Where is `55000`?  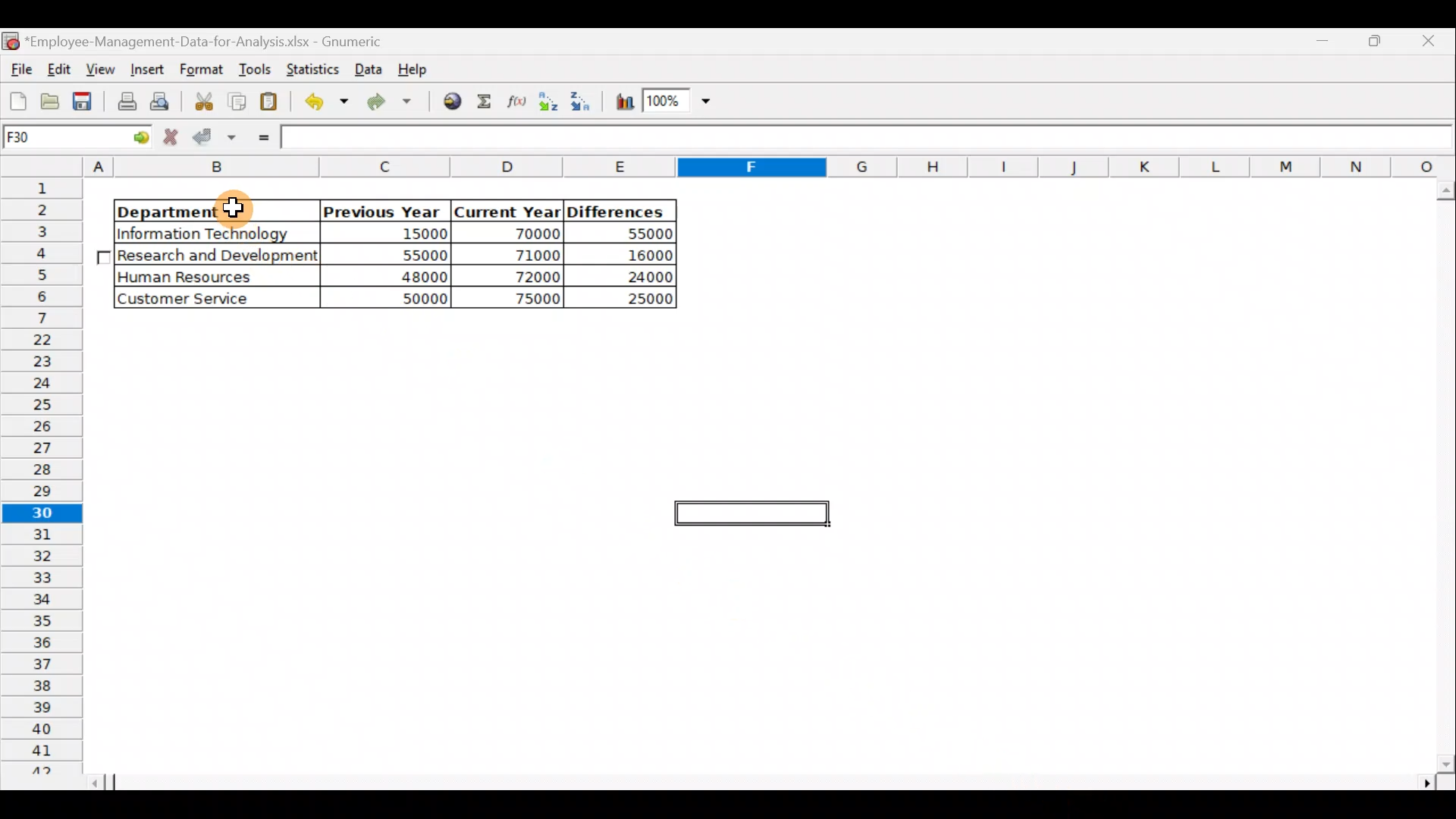
55000 is located at coordinates (642, 234).